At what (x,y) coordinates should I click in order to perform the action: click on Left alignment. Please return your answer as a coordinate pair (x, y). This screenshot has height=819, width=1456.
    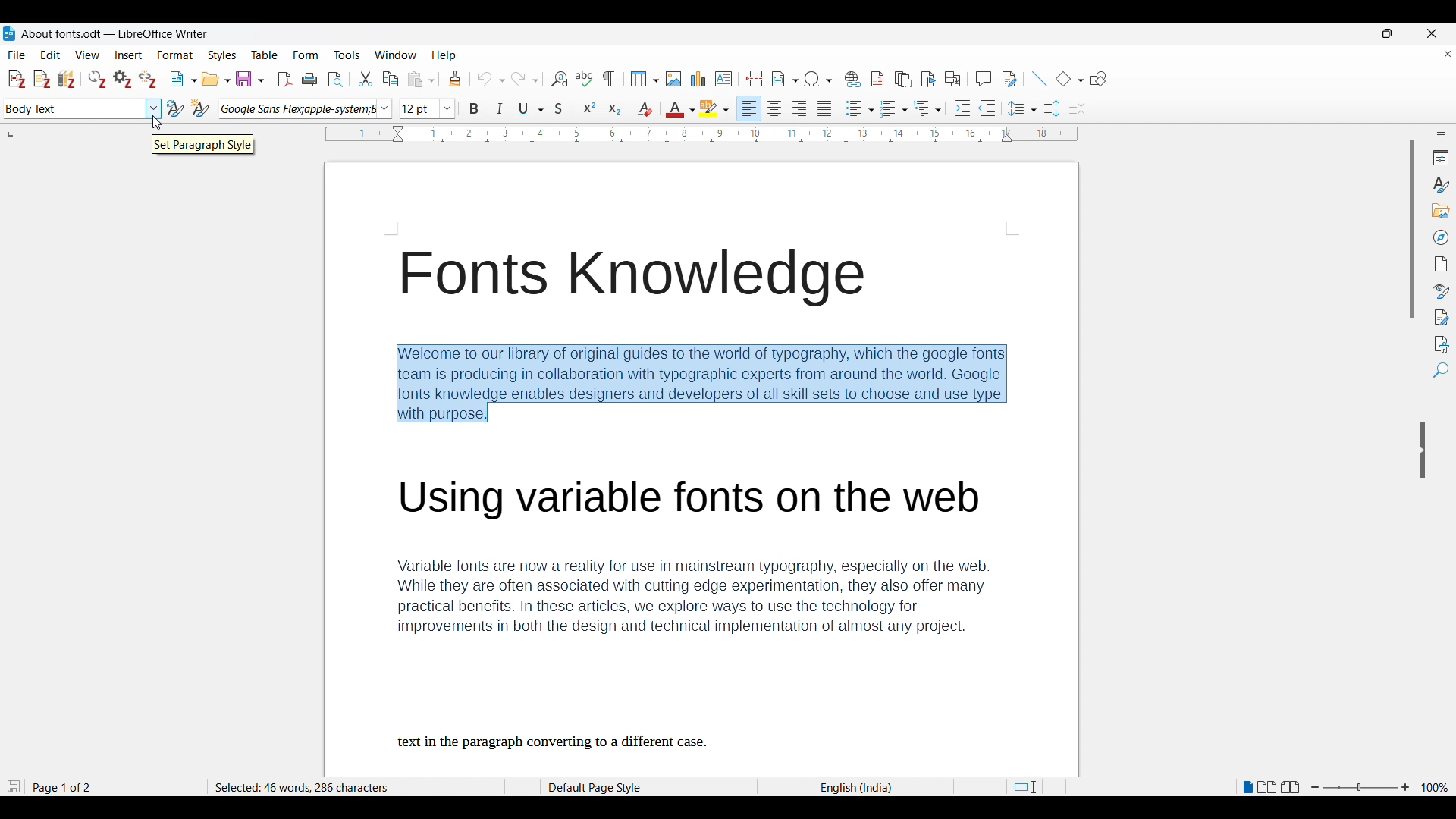
    Looking at the image, I should click on (748, 108).